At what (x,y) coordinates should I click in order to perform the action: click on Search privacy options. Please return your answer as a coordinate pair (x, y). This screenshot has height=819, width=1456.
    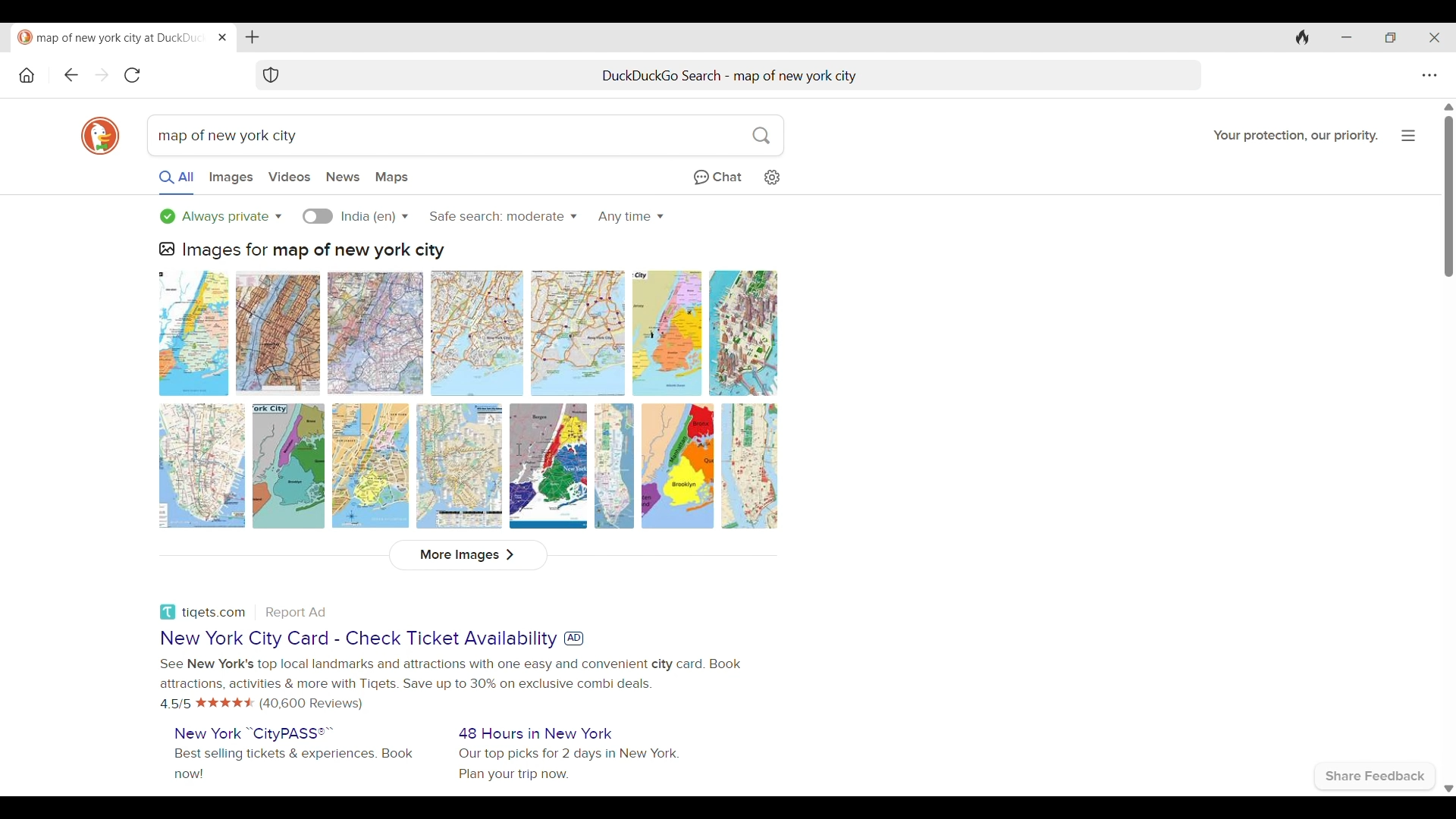
    Looking at the image, I should click on (221, 216).